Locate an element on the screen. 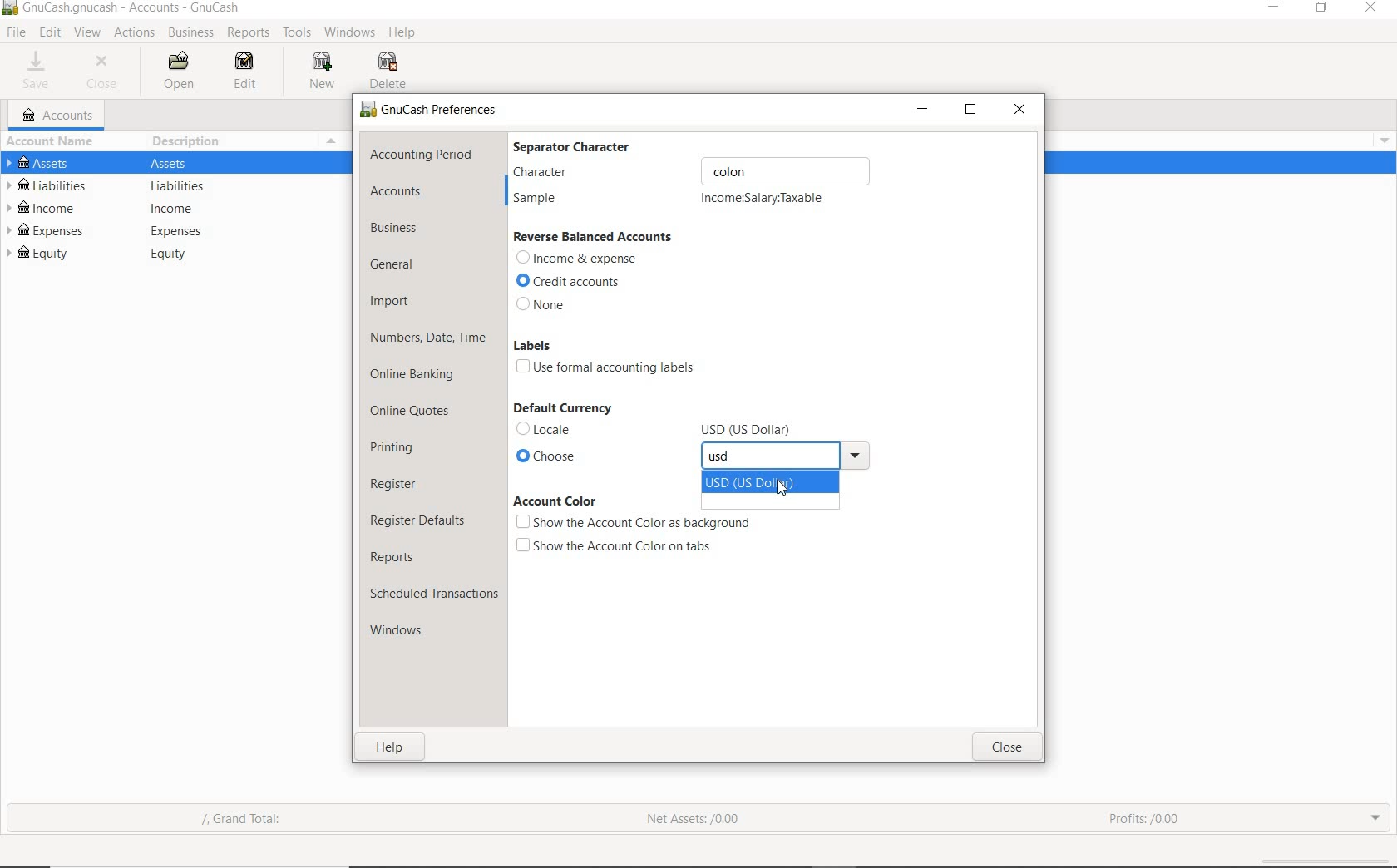  ACCOUNTS is located at coordinates (59, 116).